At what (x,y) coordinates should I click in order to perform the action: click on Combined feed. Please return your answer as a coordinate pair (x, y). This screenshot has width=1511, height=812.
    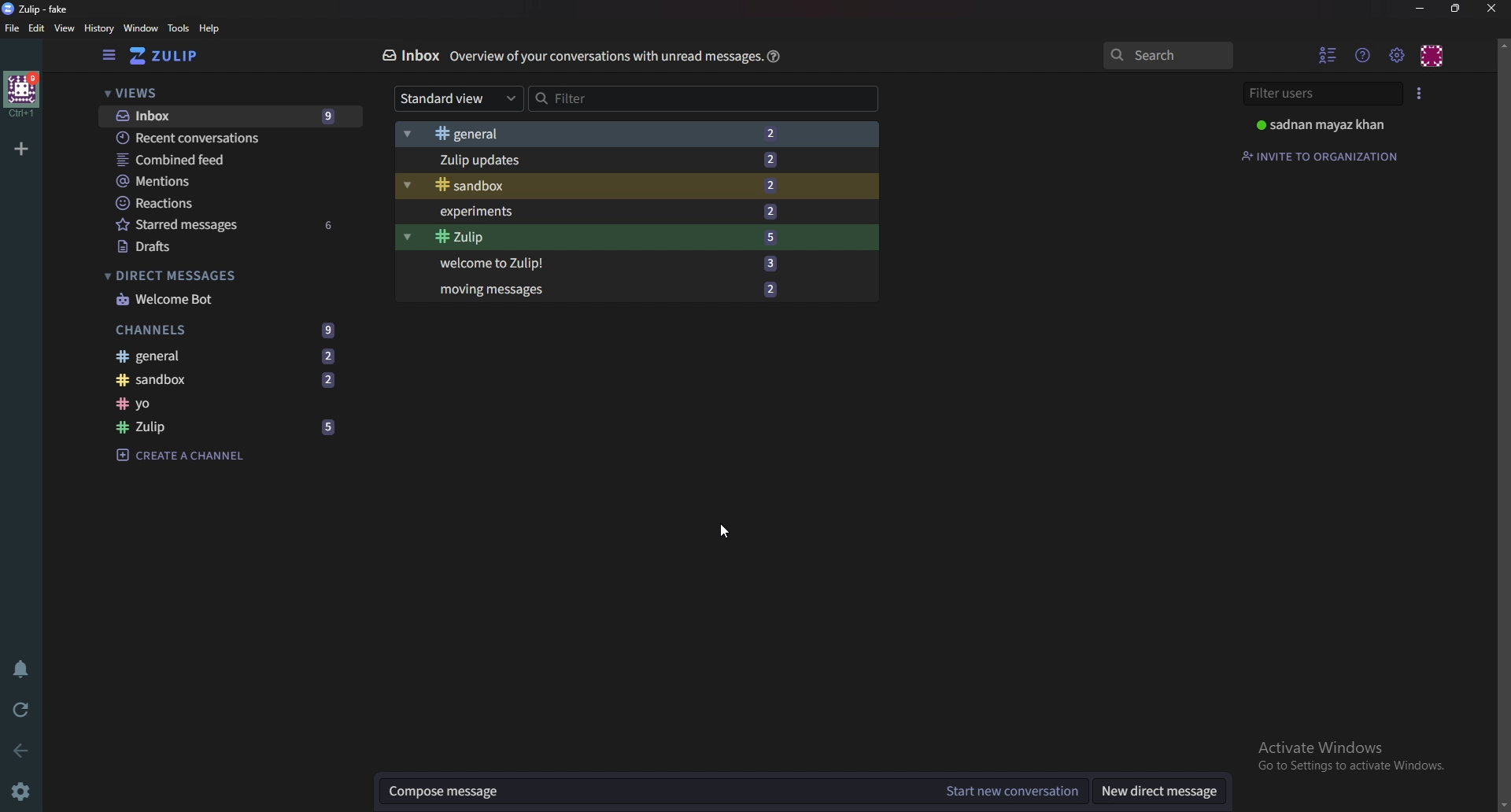
    Looking at the image, I should click on (227, 162).